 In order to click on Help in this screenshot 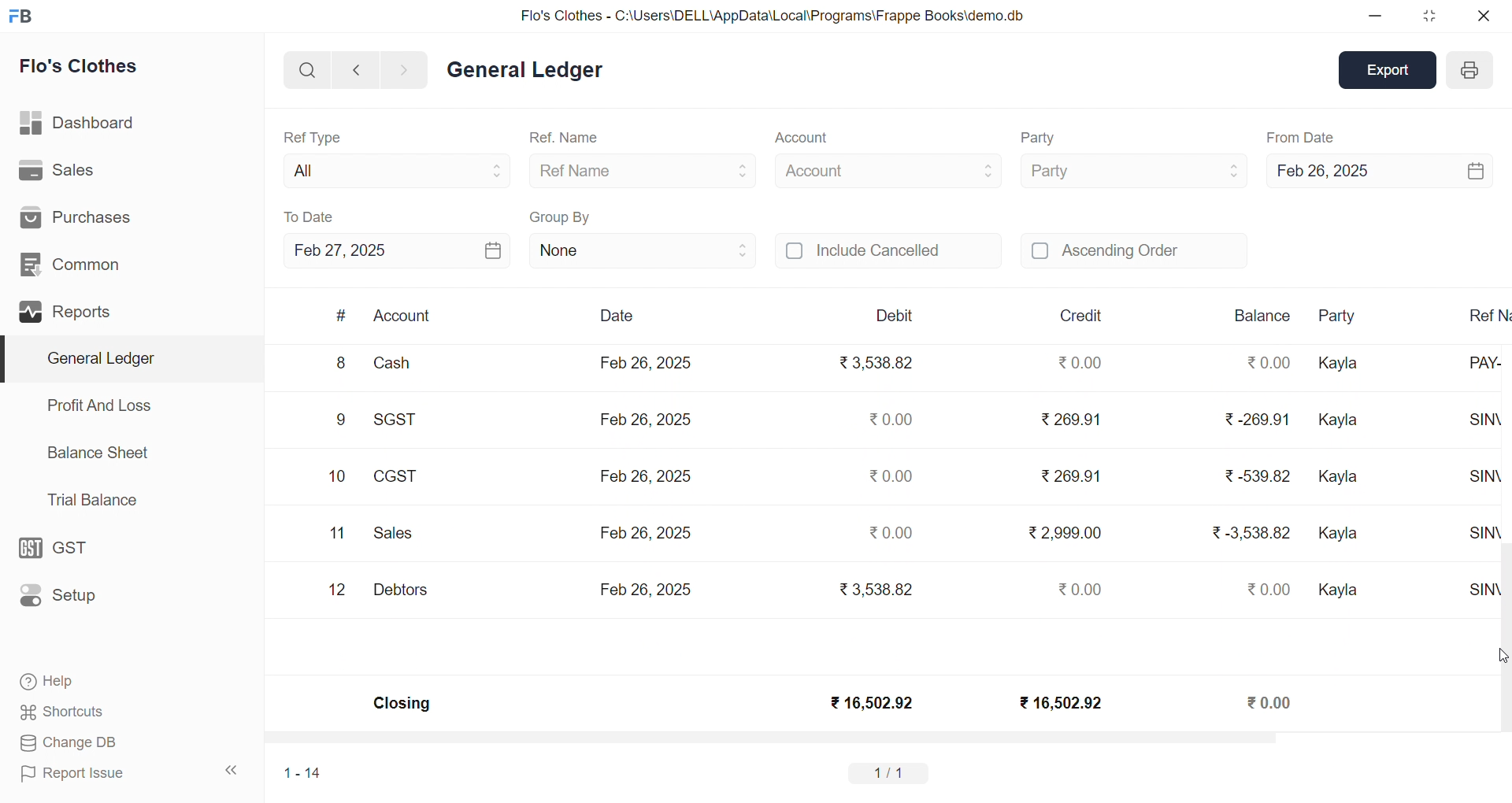, I will do `click(53, 683)`.